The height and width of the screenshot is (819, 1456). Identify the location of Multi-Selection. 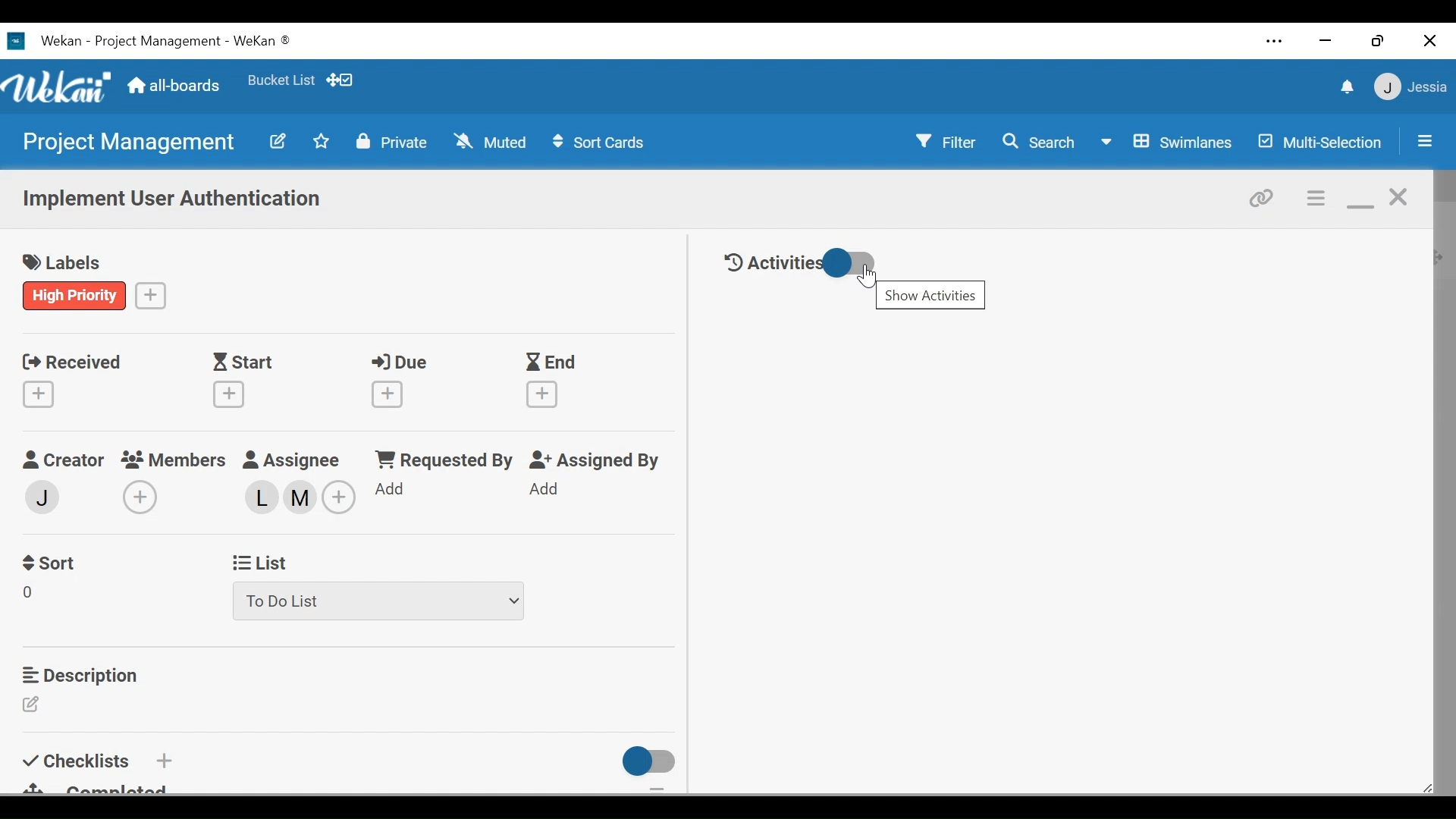
(1318, 143).